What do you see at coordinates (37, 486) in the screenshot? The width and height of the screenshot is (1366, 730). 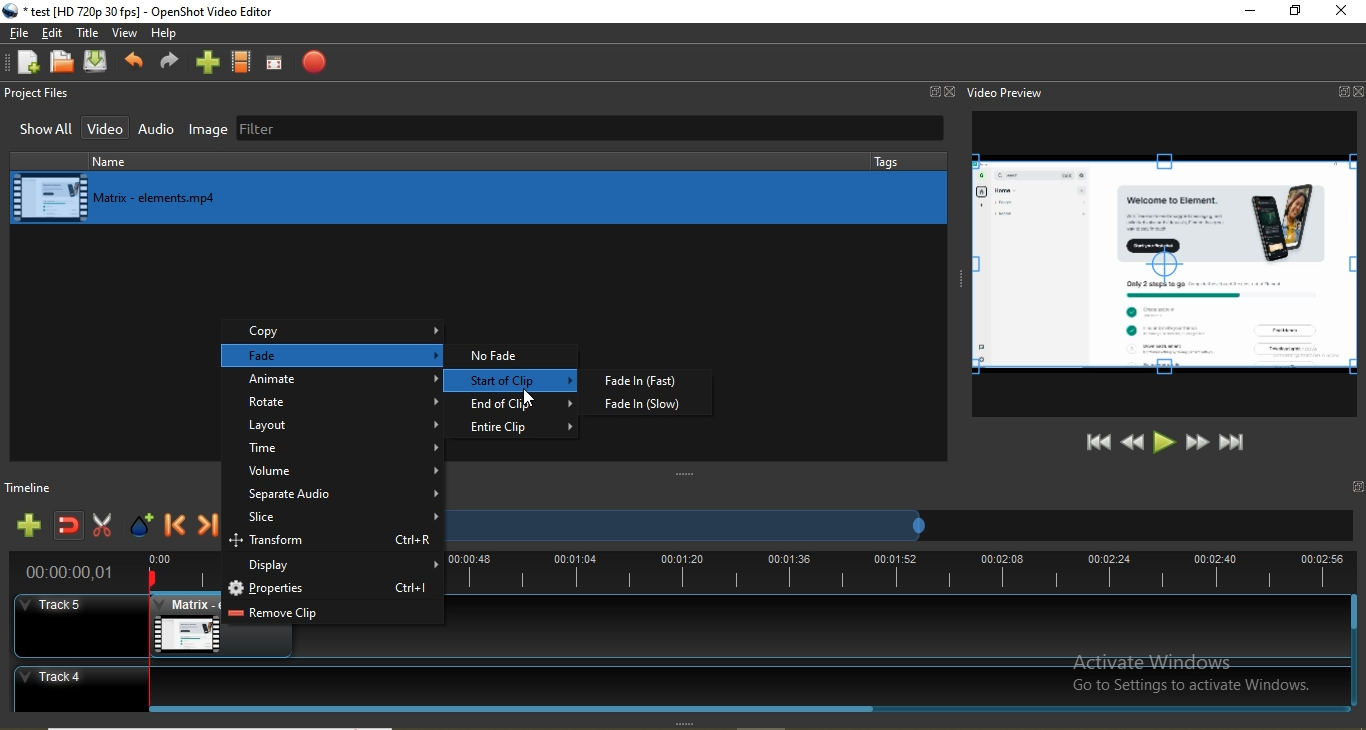 I see `Timeline` at bounding box center [37, 486].